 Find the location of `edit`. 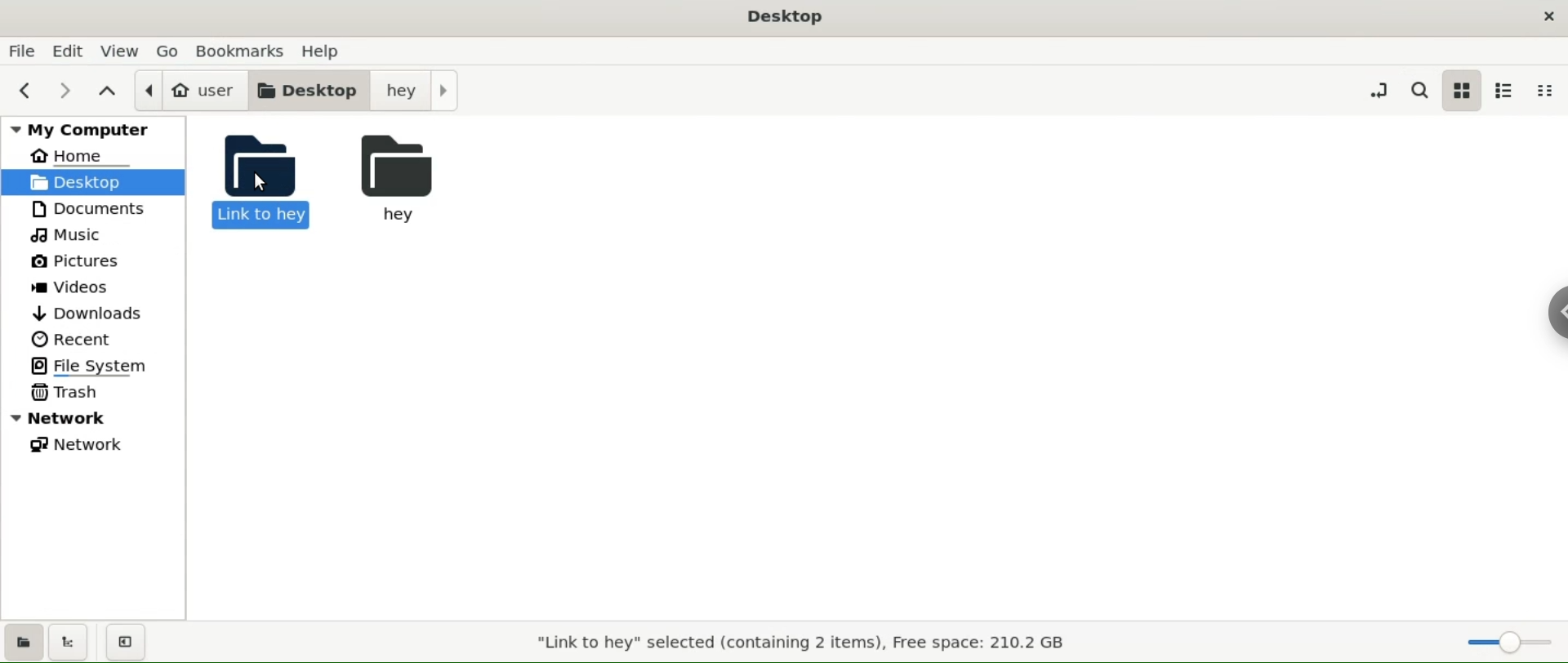

edit is located at coordinates (65, 51).